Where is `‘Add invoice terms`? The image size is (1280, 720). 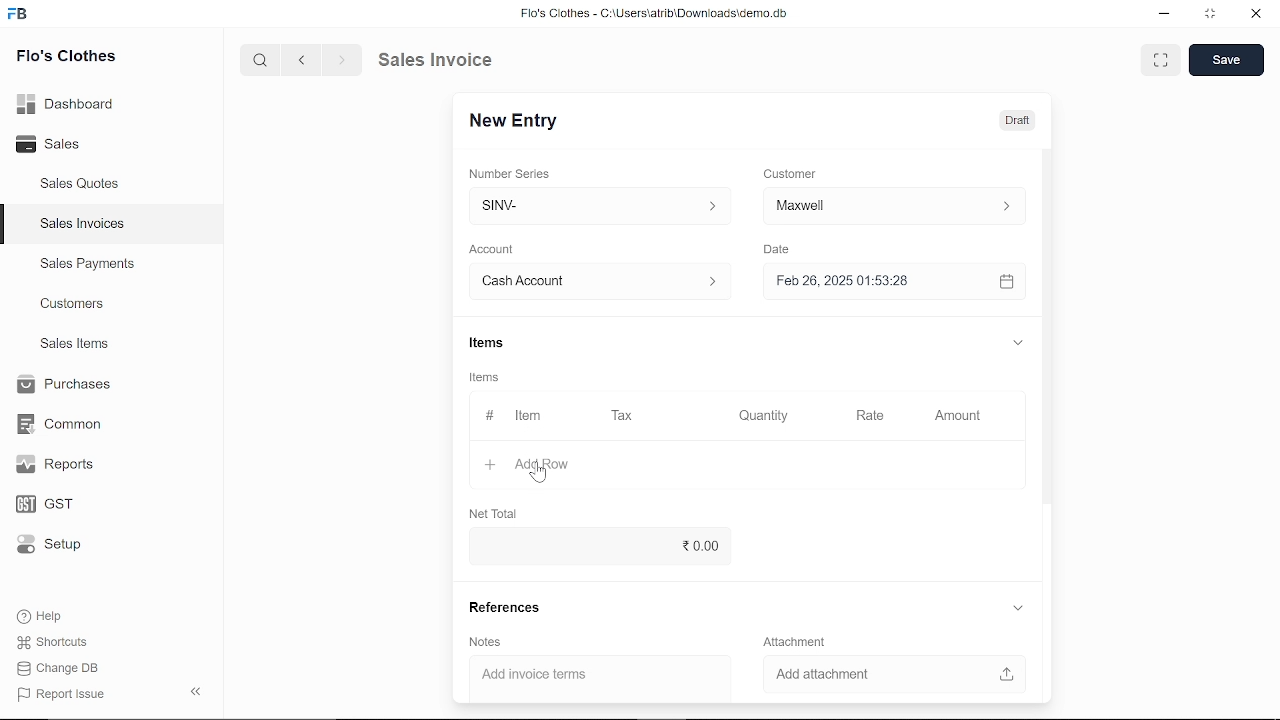 ‘Add invoice terms is located at coordinates (584, 677).